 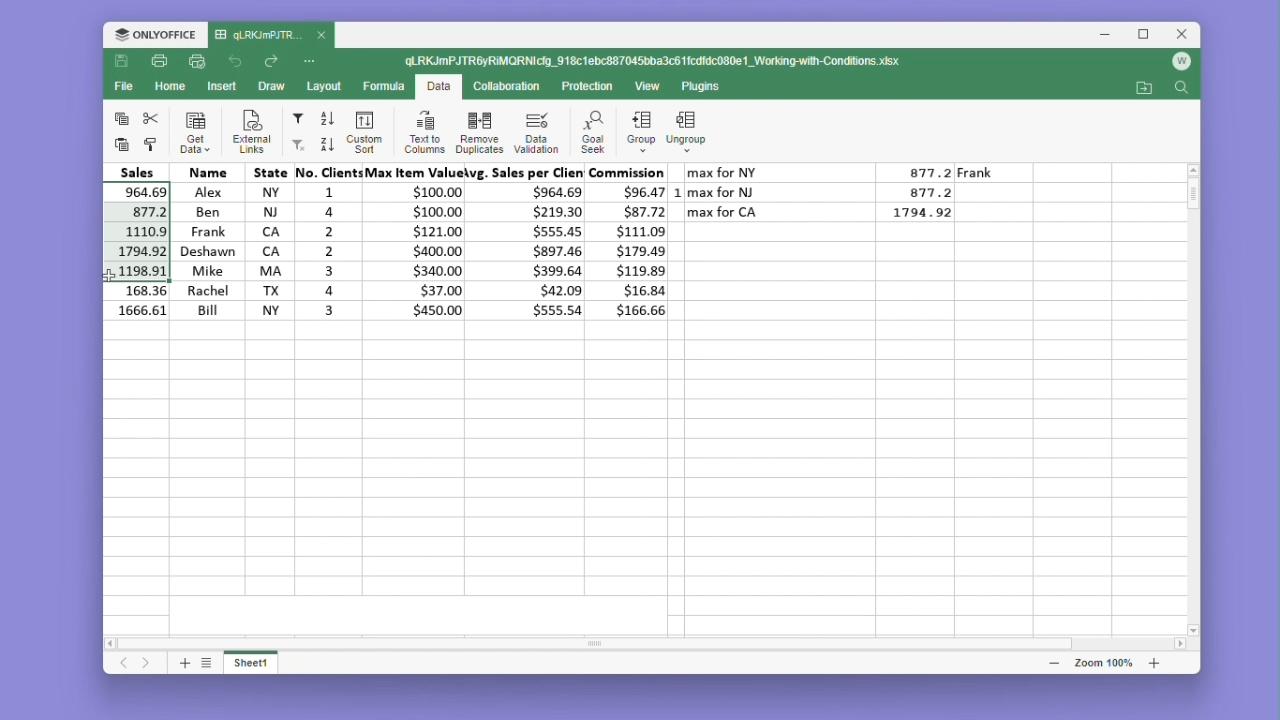 I want to click on paste formatting, so click(x=151, y=145).